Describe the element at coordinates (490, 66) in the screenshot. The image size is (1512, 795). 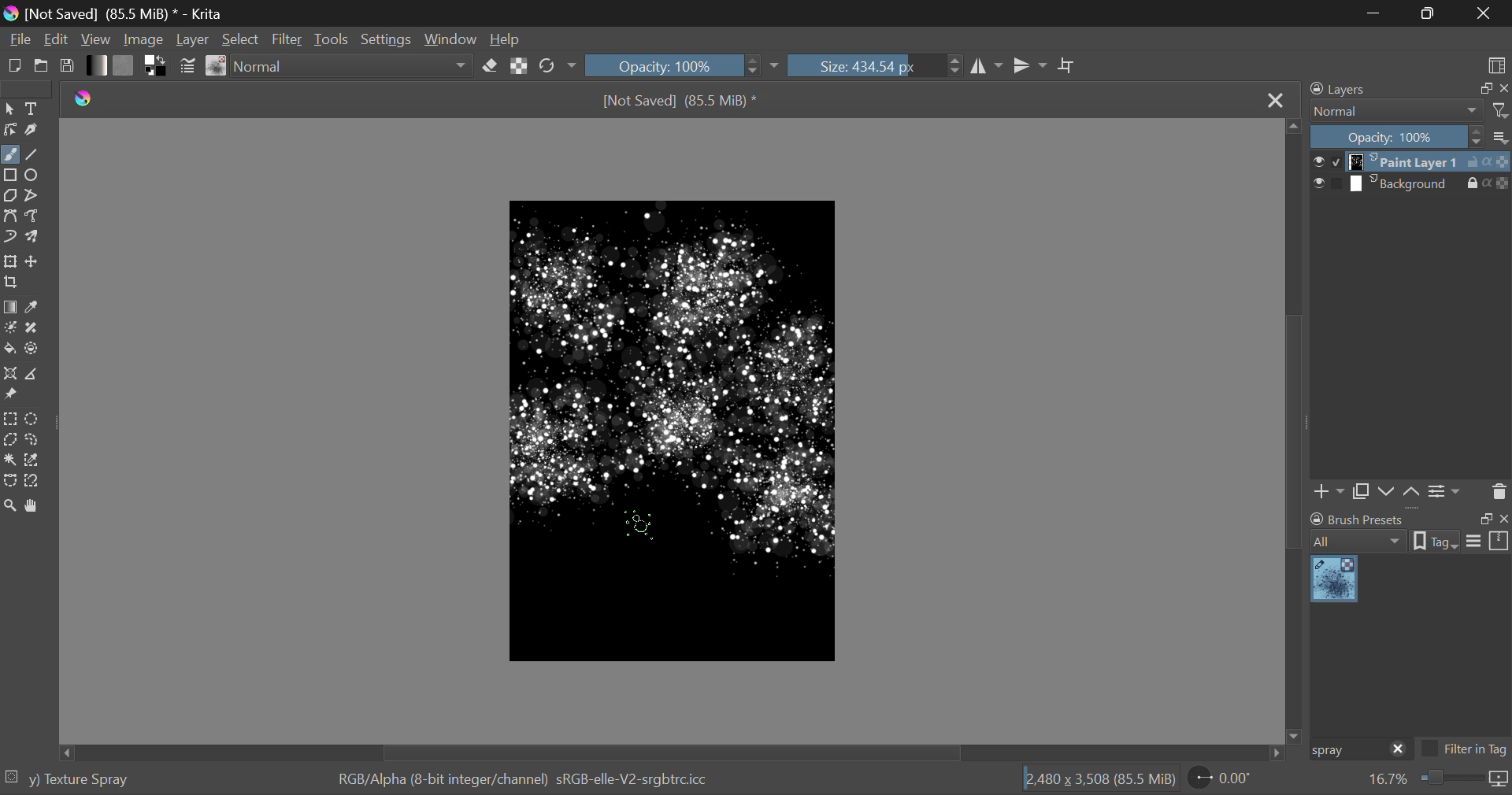
I see `Eraser` at that location.